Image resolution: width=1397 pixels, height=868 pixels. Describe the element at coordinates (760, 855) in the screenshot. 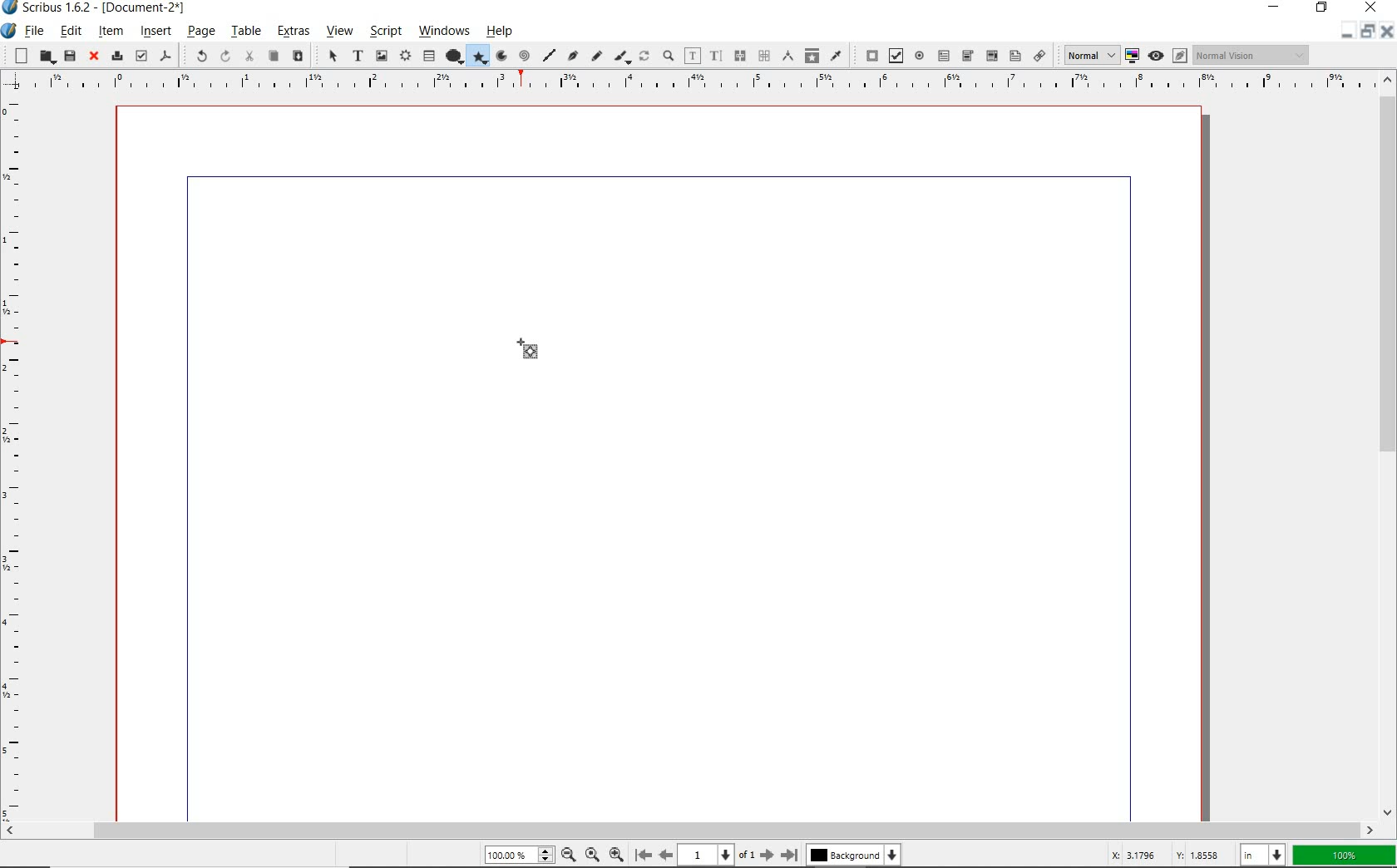

I see `Move to next page` at that location.